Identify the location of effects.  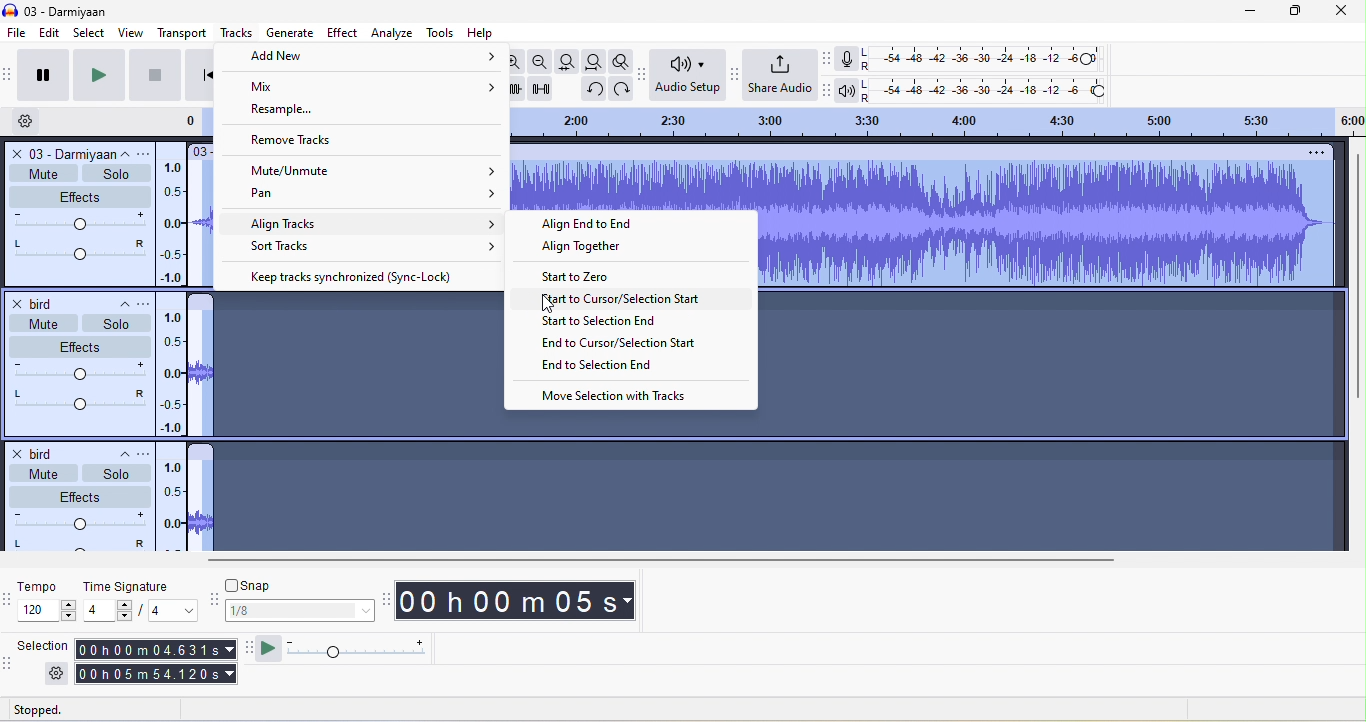
(81, 494).